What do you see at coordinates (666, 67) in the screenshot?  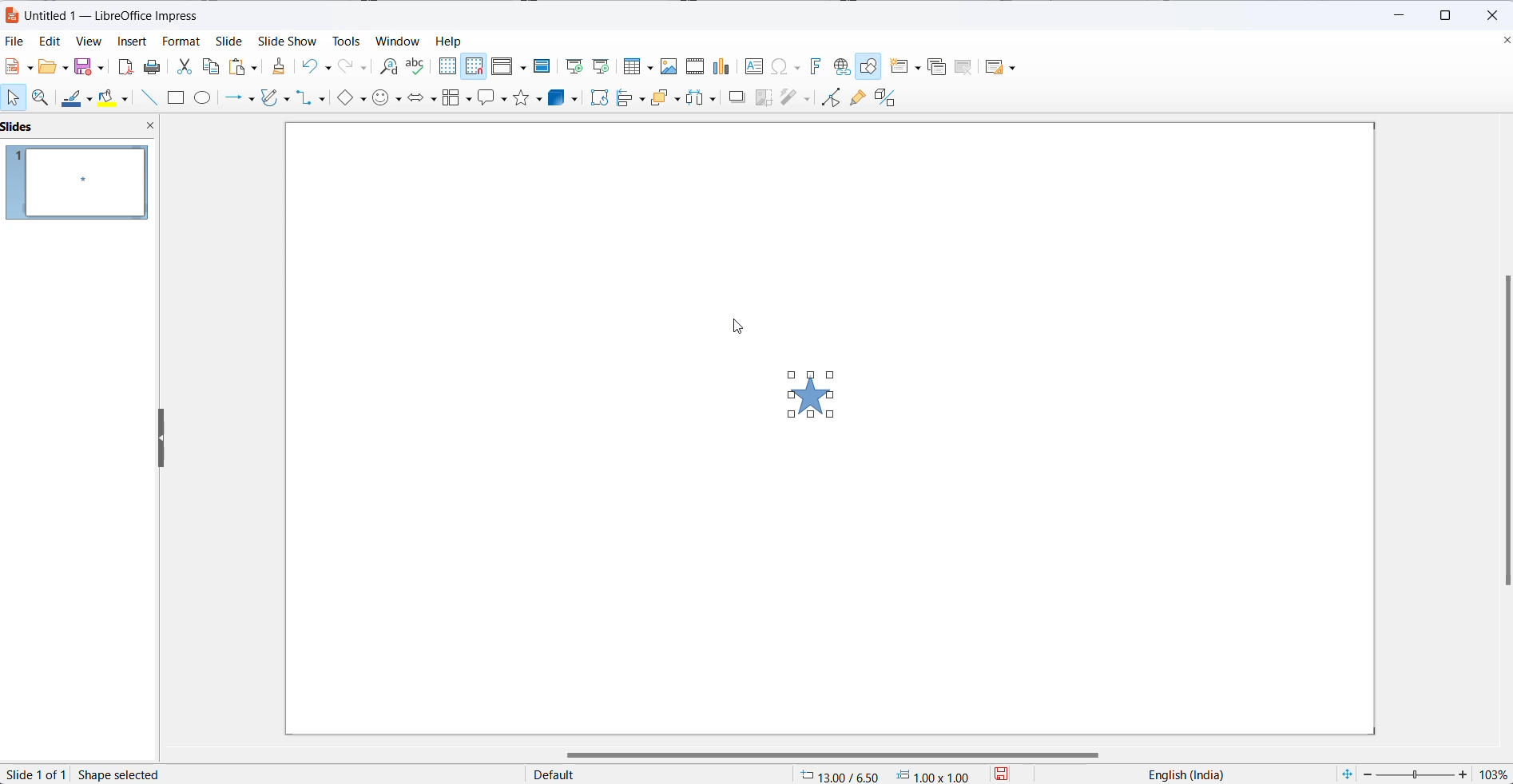 I see `insert image` at bounding box center [666, 67].